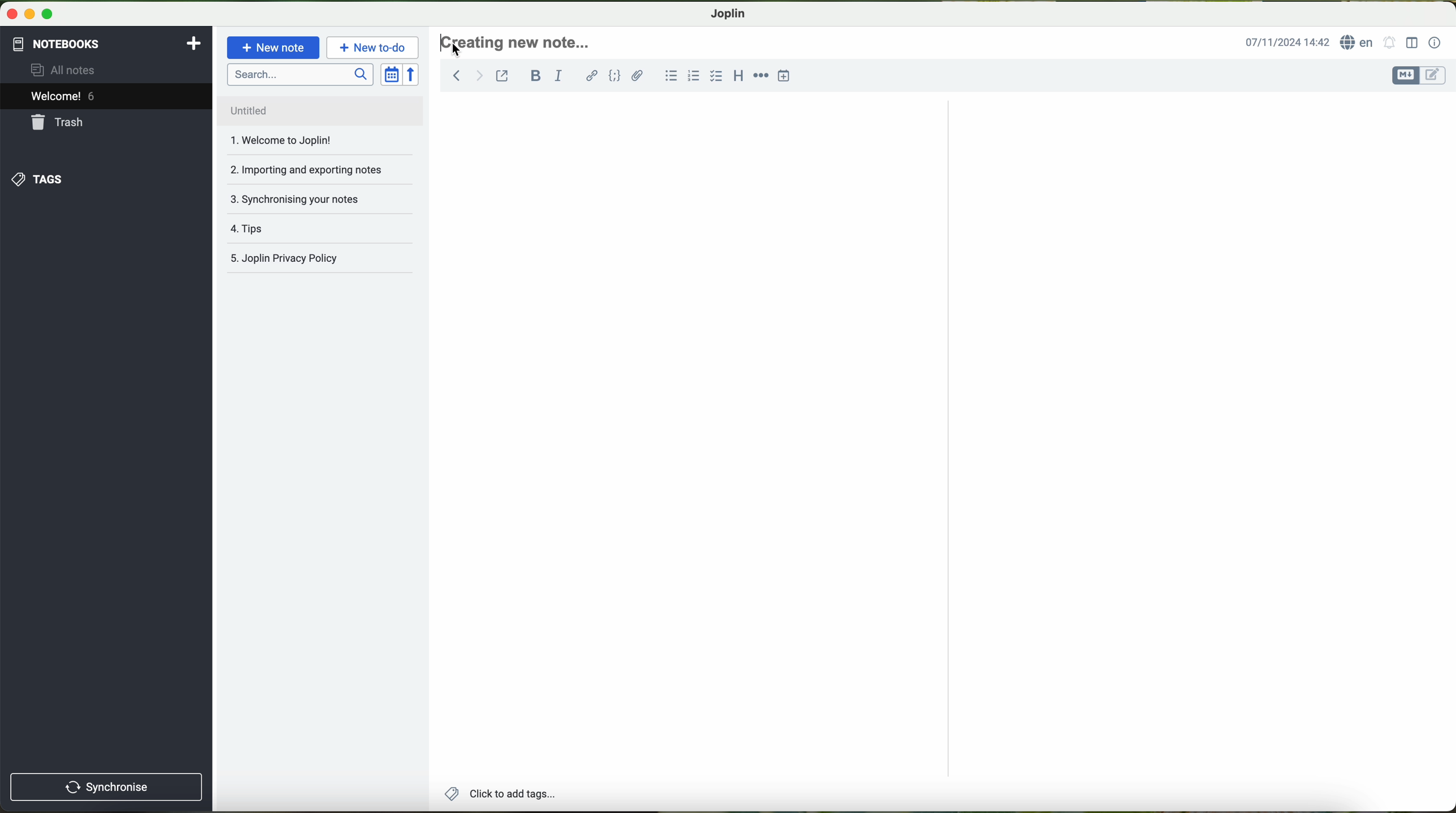 Image resolution: width=1456 pixels, height=813 pixels. Describe the element at coordinates (561, 76) in the screenshot. I see `italic` at that location.